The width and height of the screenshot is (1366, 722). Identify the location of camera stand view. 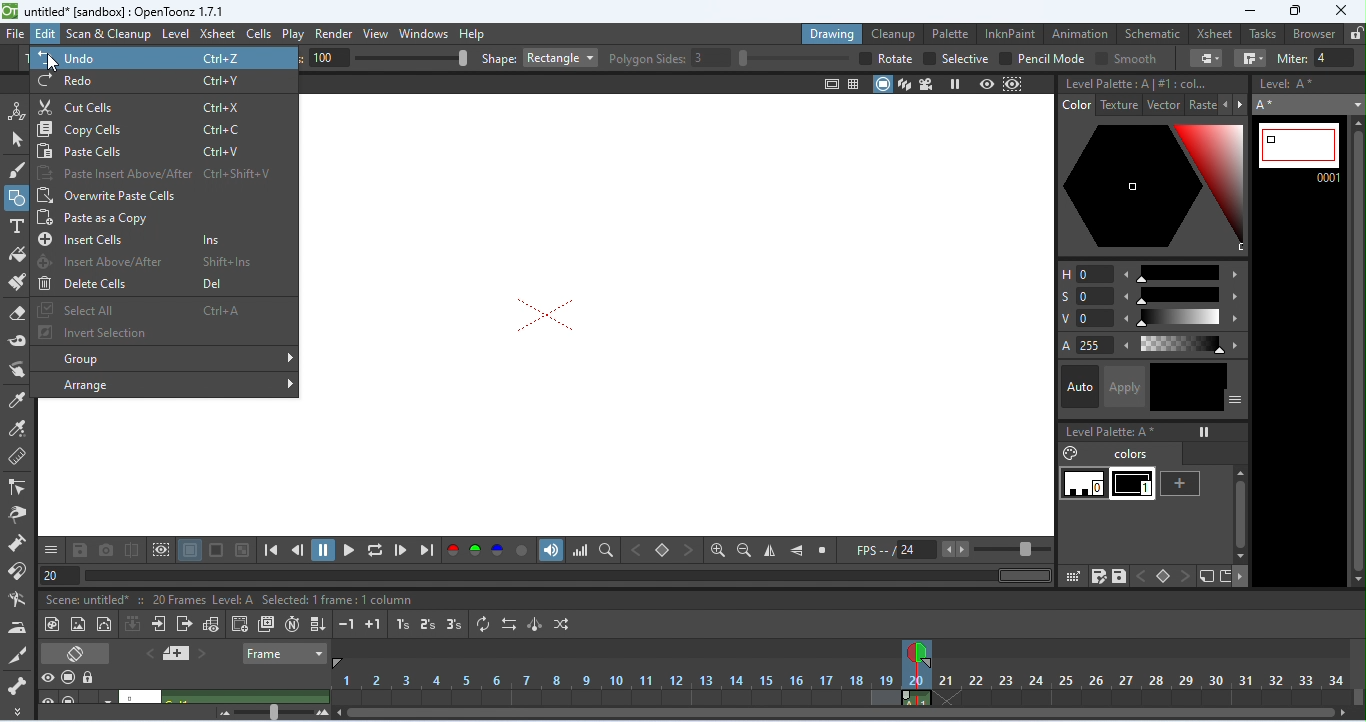
(880, 84).